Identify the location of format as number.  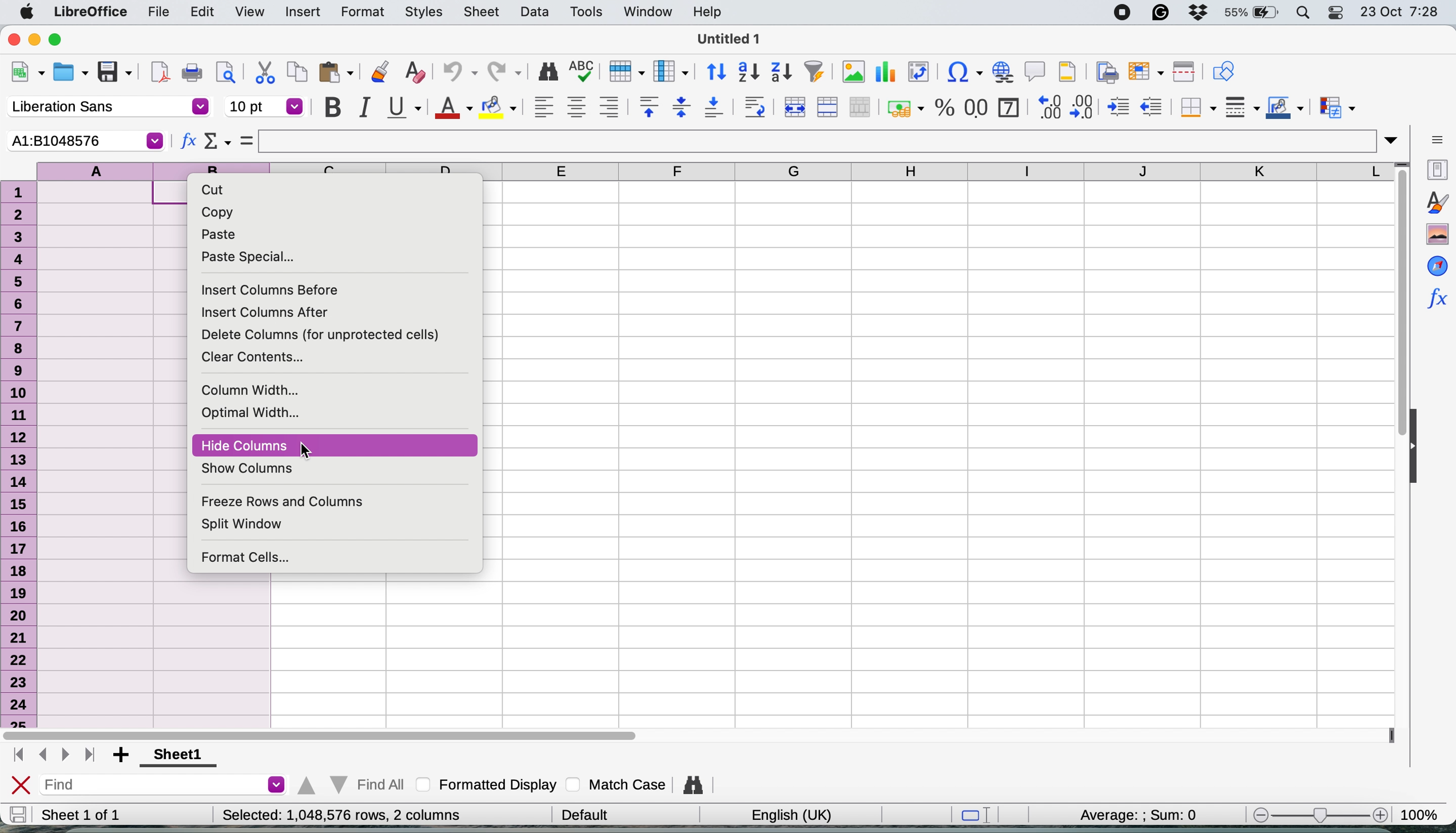
(975, 108).